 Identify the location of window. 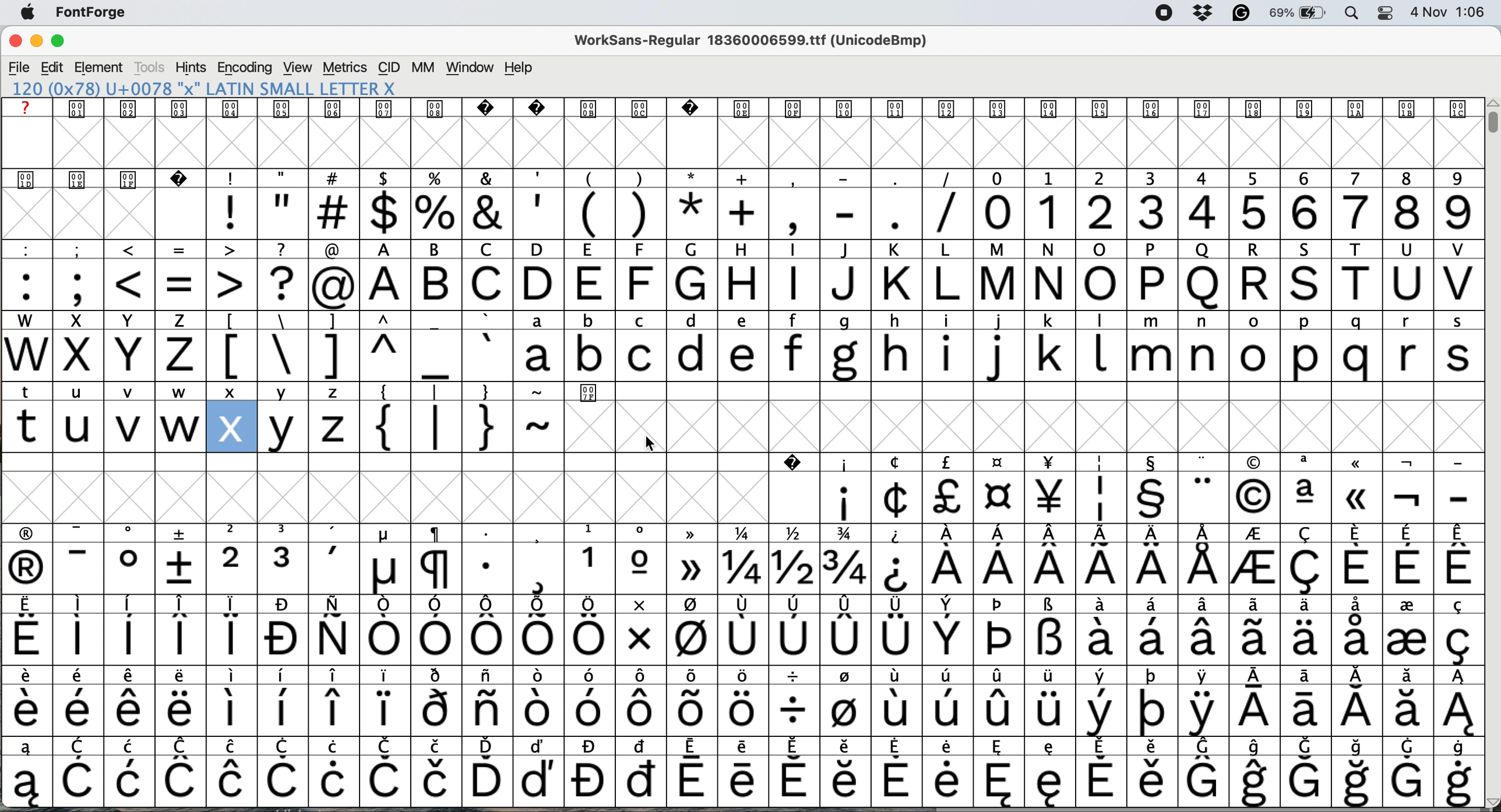
(469, 68).